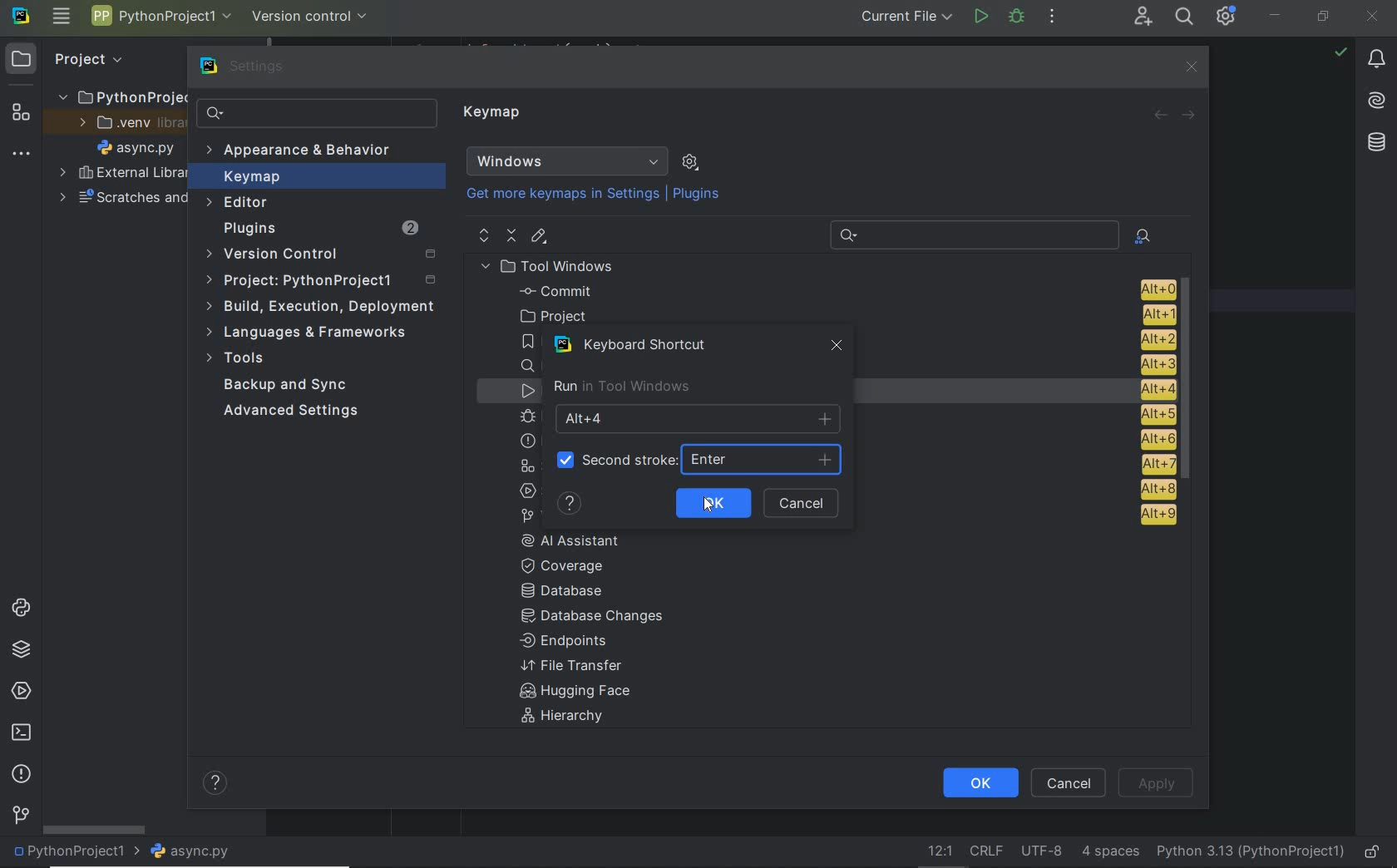 The image size is (1397, 868). I want to click on Keymap, so click(495, 115).